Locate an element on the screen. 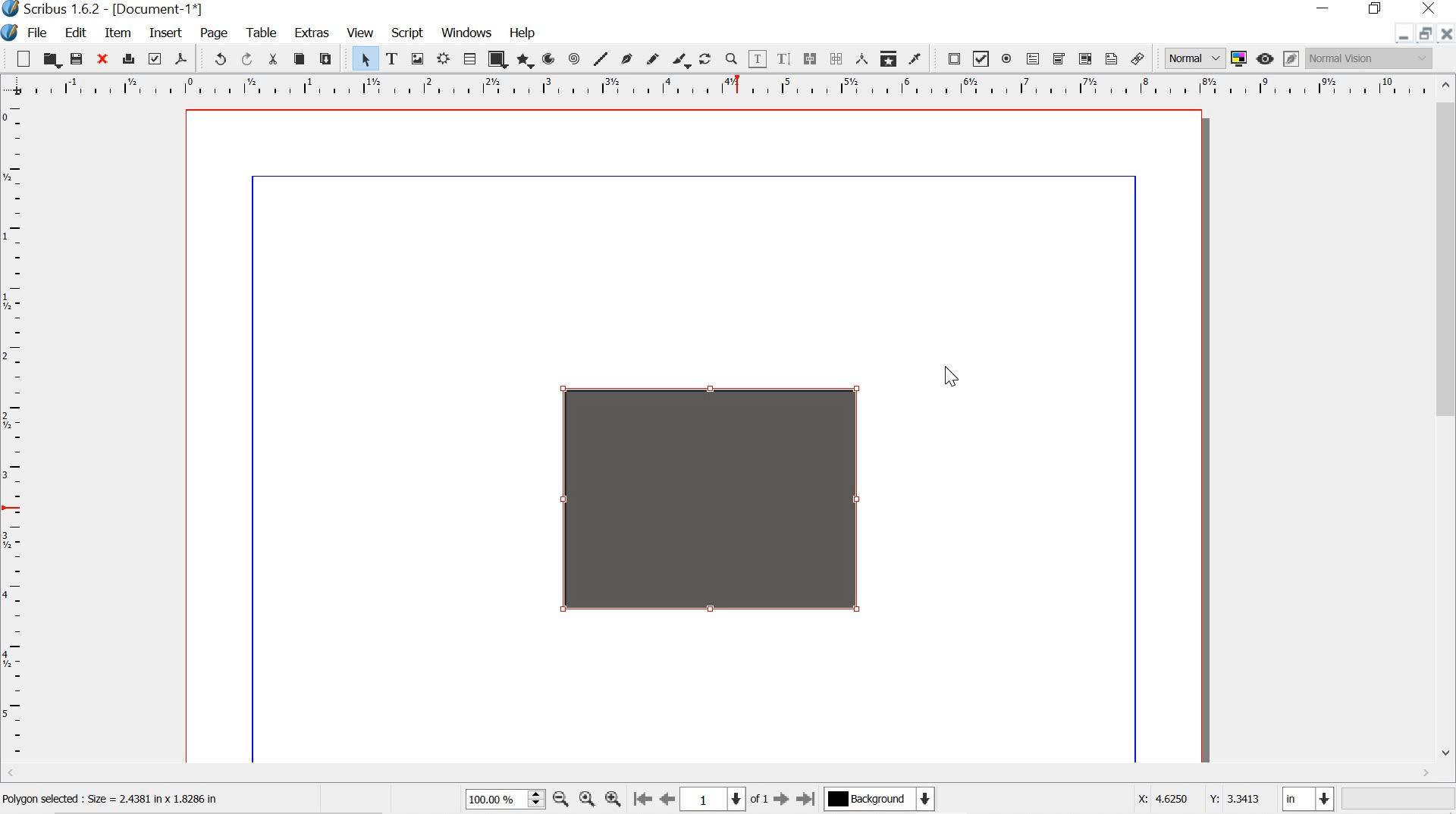 This screenshot has height=814, width=1456. x: 4.6250  y:3.3413 is located at coordinates (1197, 798).